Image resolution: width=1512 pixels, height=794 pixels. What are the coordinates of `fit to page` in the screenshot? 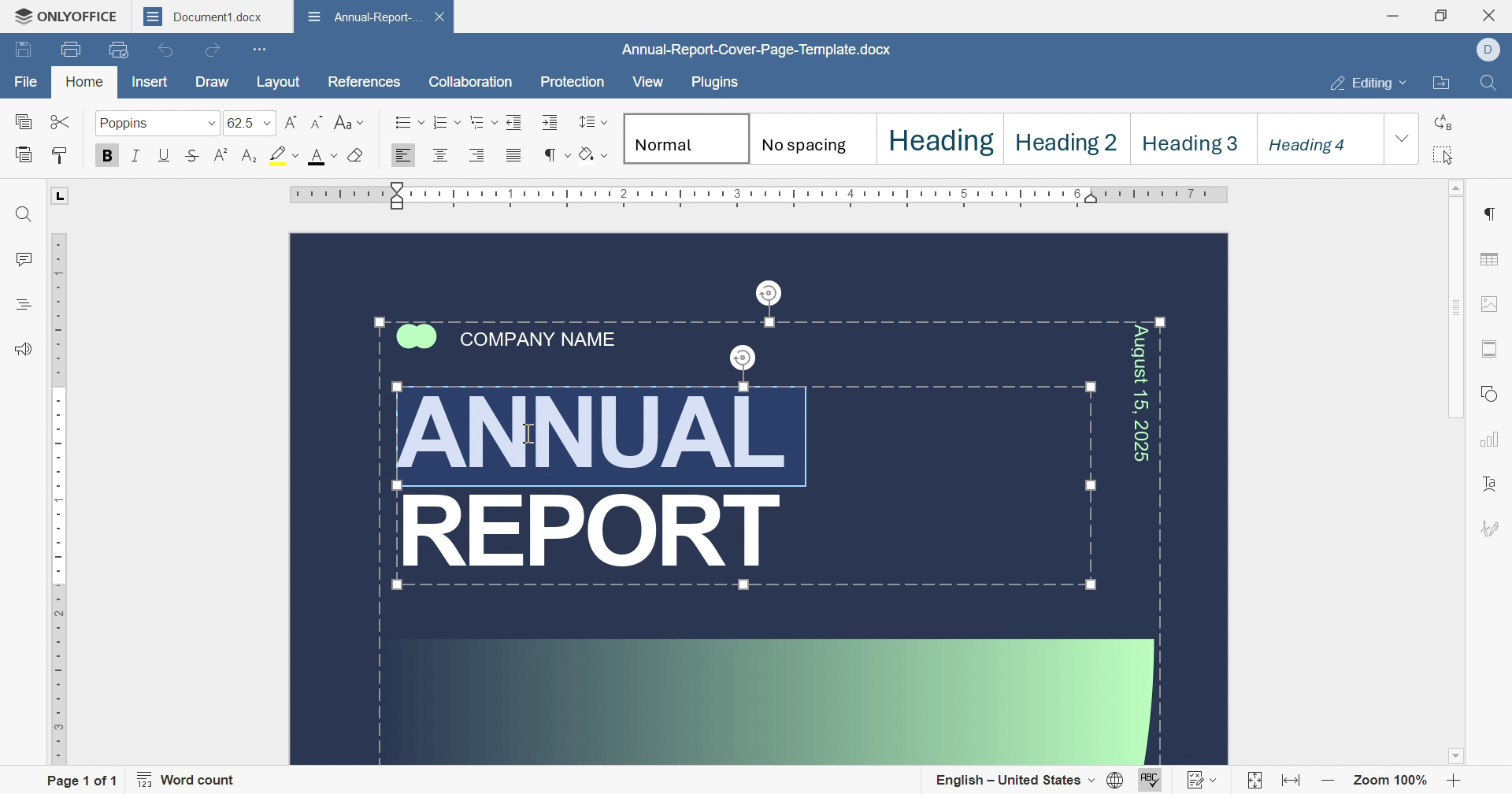 It's located at (1253, 781).